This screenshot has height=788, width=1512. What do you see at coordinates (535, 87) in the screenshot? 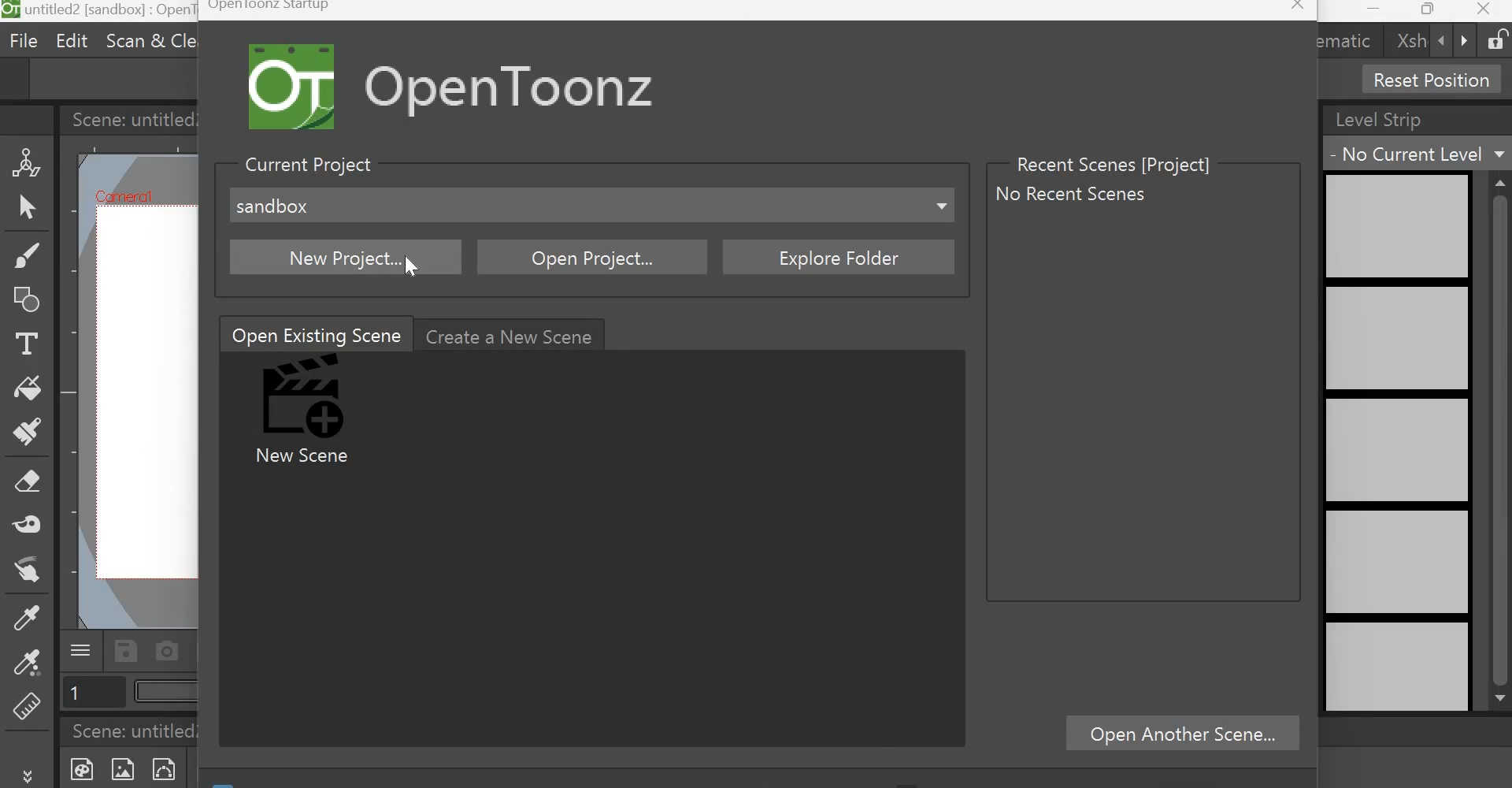
I see `Open Toonz` at bounding box center [535, 87].